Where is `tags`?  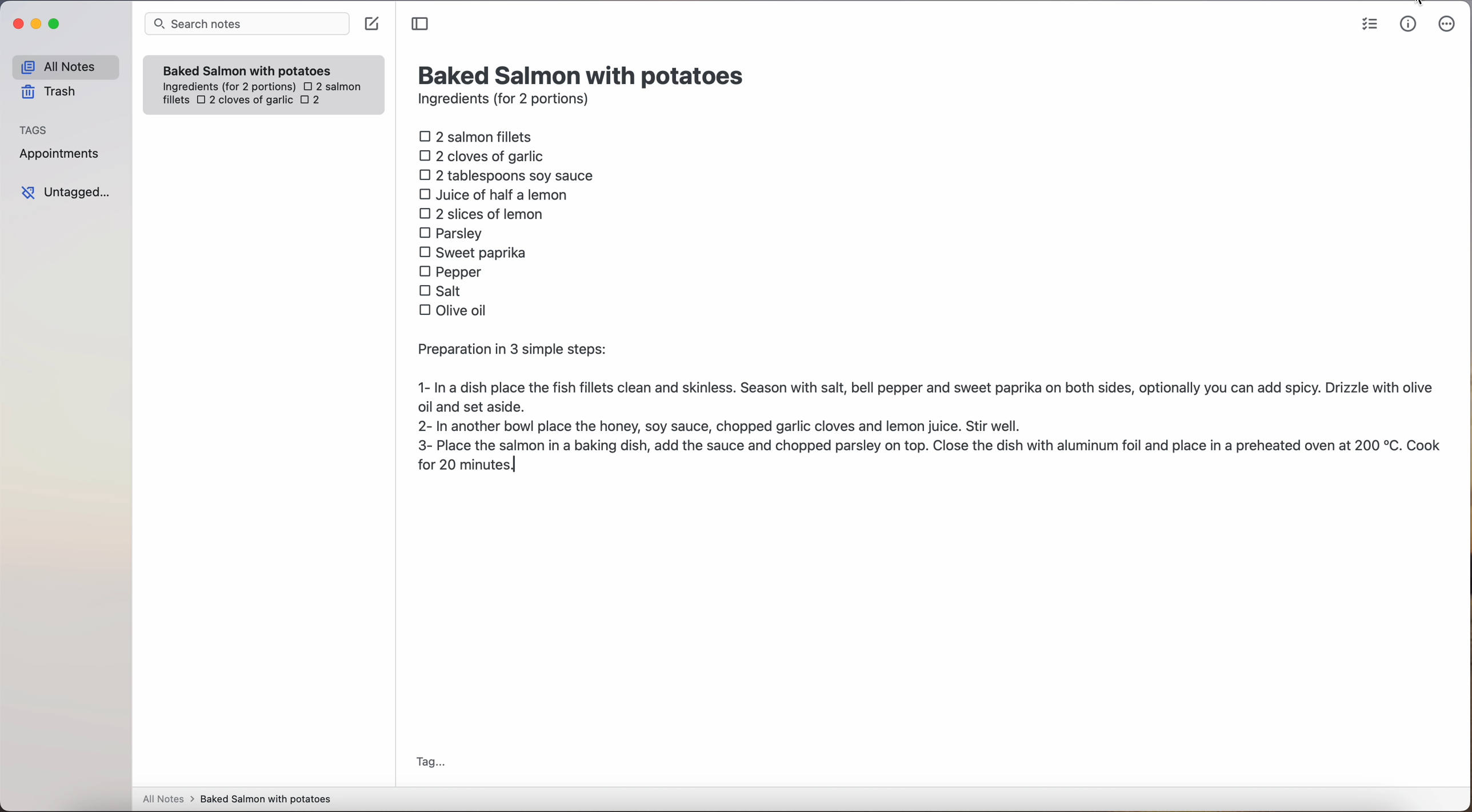 tags is located at coordinates (34, 129).